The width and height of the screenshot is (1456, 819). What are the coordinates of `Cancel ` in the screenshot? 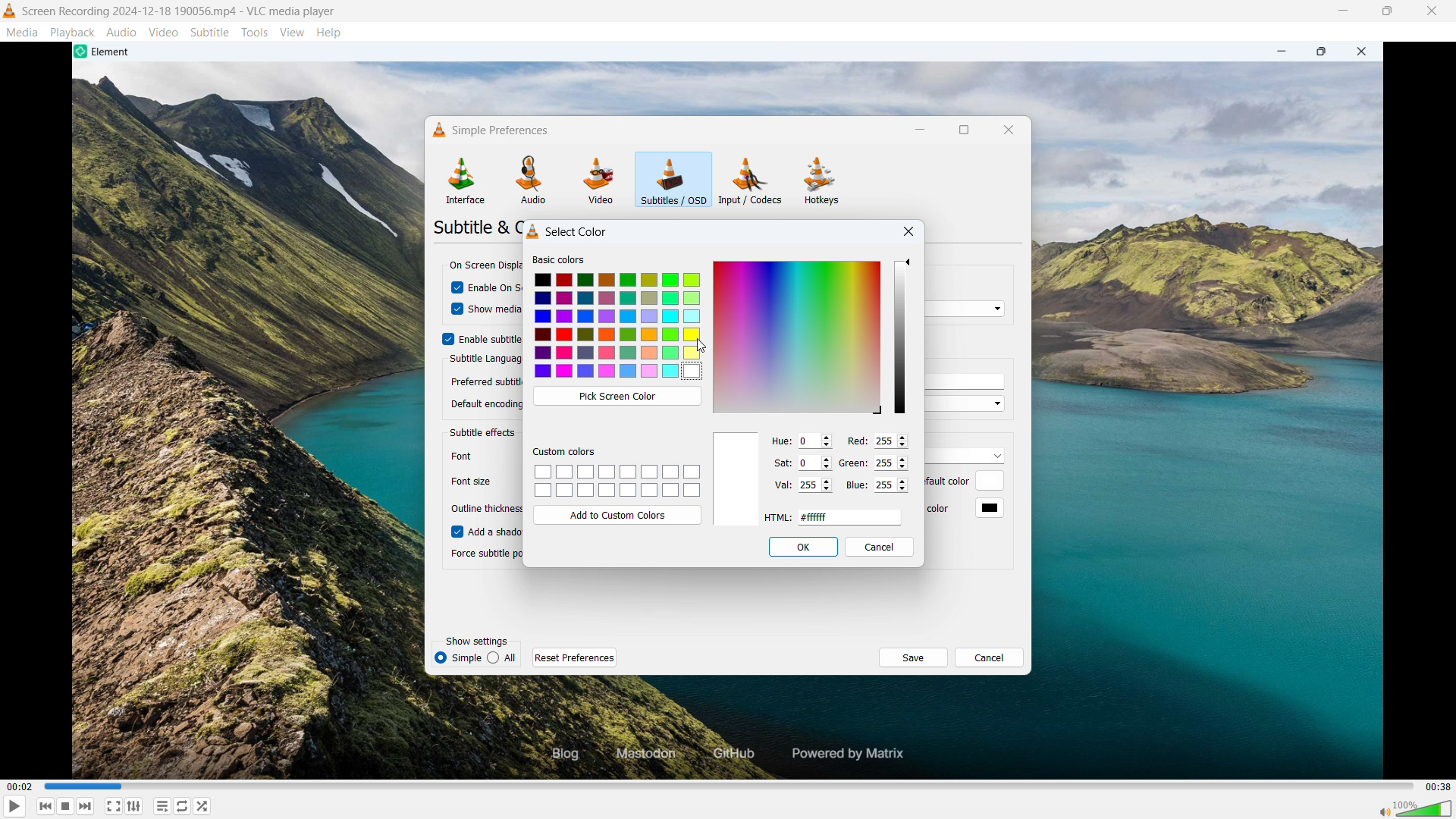 It's located at (989, 657).